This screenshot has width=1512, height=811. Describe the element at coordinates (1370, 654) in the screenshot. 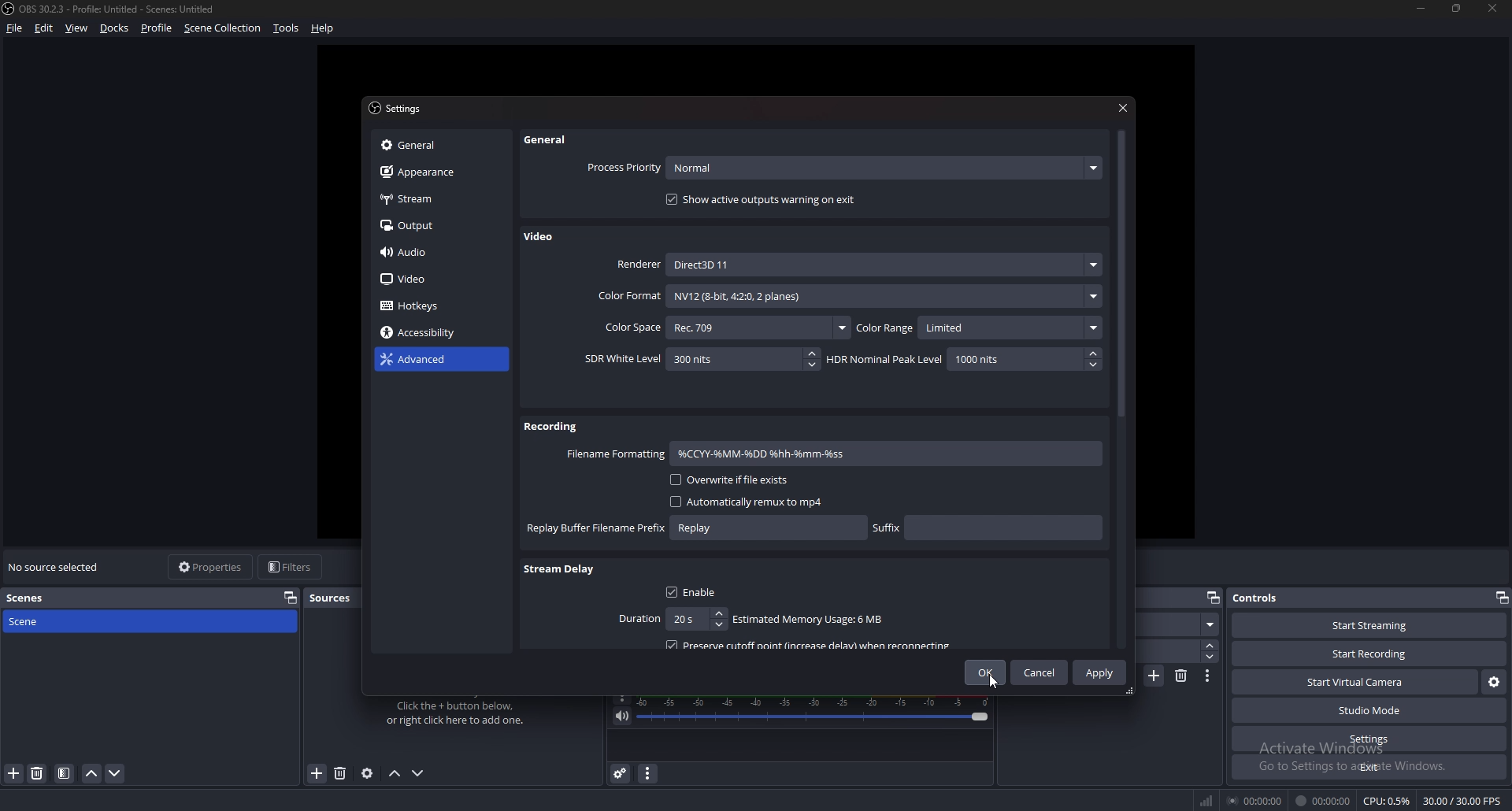

I see `start recording` at that location.